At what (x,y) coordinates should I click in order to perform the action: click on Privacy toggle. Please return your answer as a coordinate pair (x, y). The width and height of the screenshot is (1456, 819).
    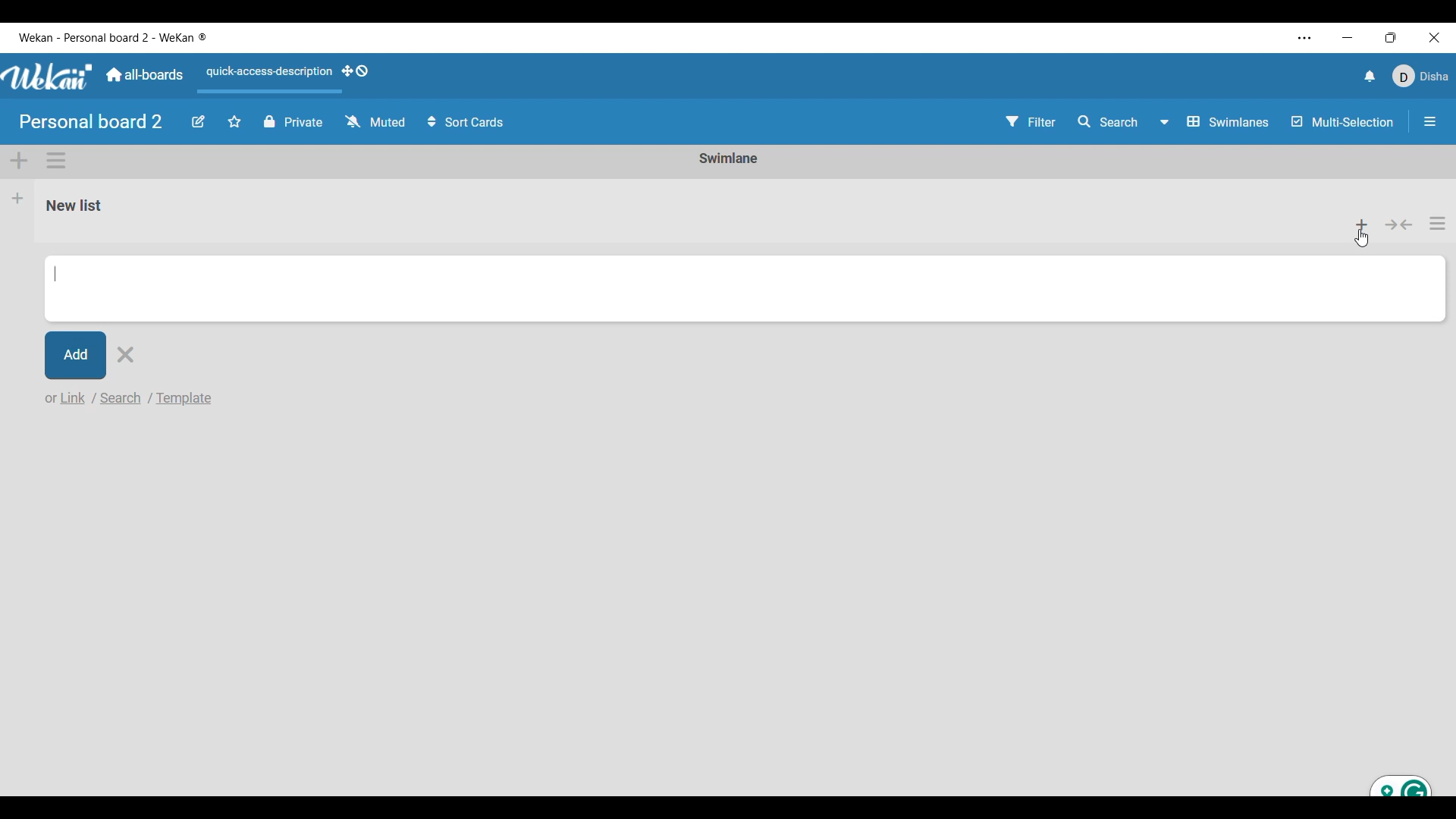
    Looking at the image, I should click on (293, 121).